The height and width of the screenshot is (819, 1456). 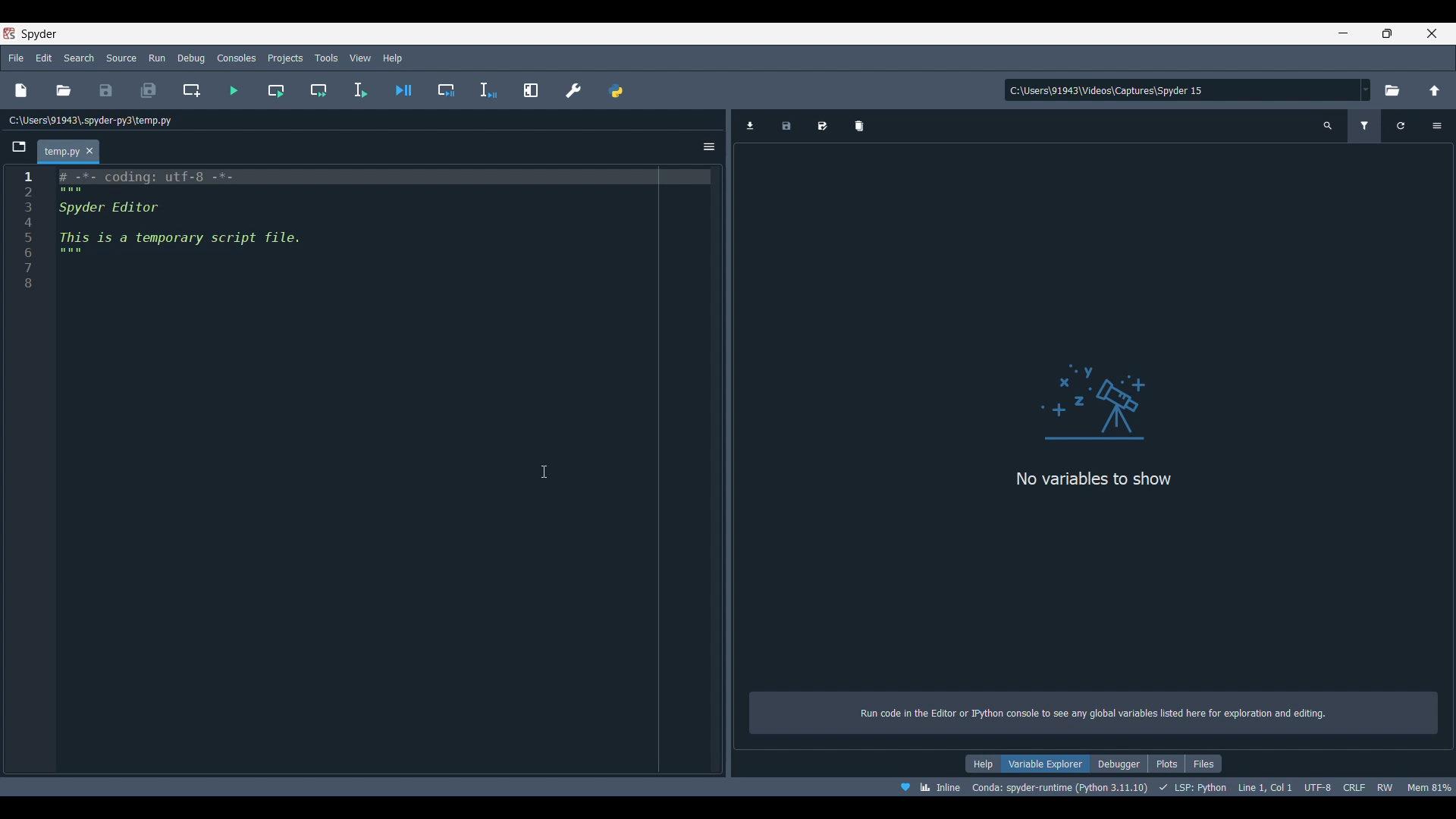 I want to click on Debug selection/current line, so click(x=488, y=90).